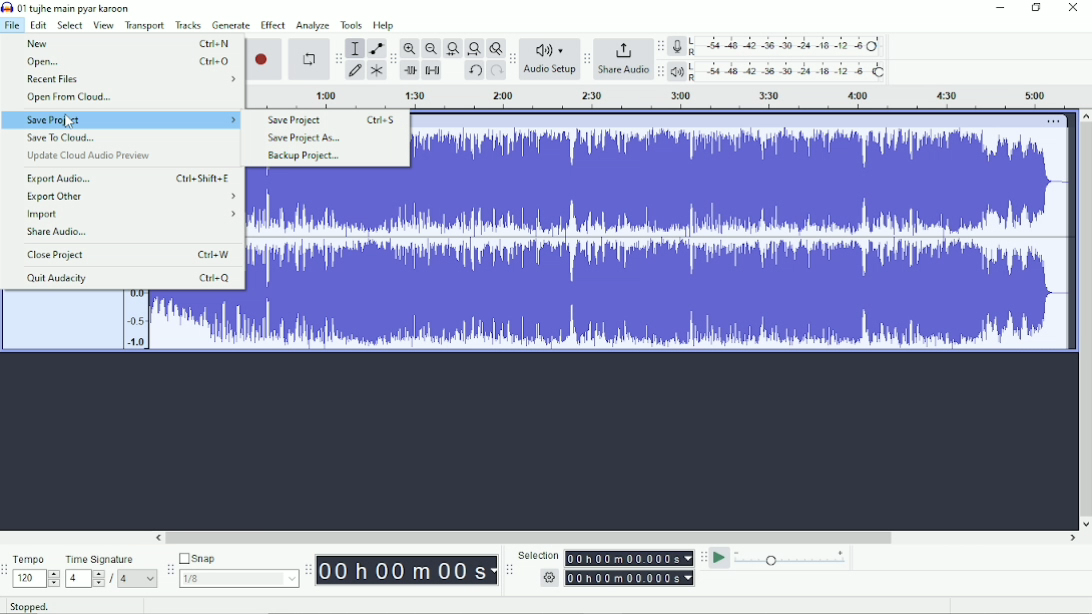 Image resolution: width=1092 pixels, height=614 pixels. I want to click on Audacity audio setup toolbar, so click(512, 58).